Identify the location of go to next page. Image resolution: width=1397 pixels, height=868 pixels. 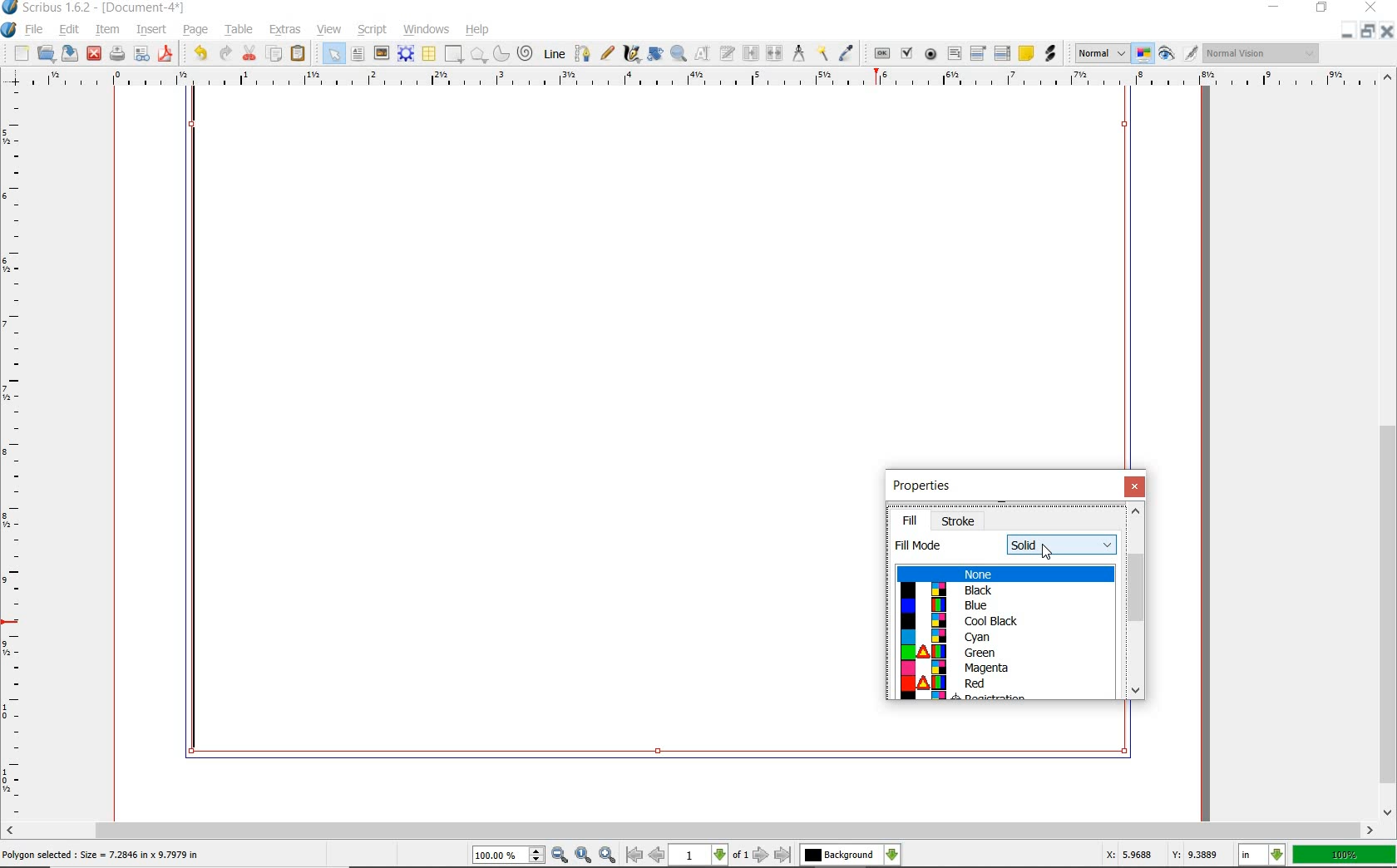
(762, 855).